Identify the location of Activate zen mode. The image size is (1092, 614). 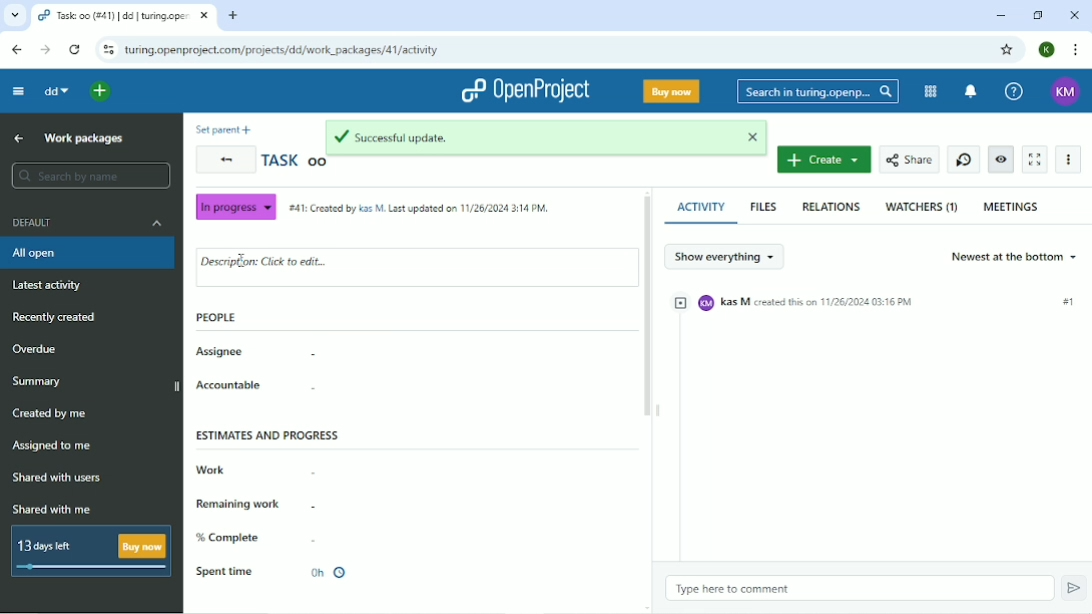
(1035, 160).